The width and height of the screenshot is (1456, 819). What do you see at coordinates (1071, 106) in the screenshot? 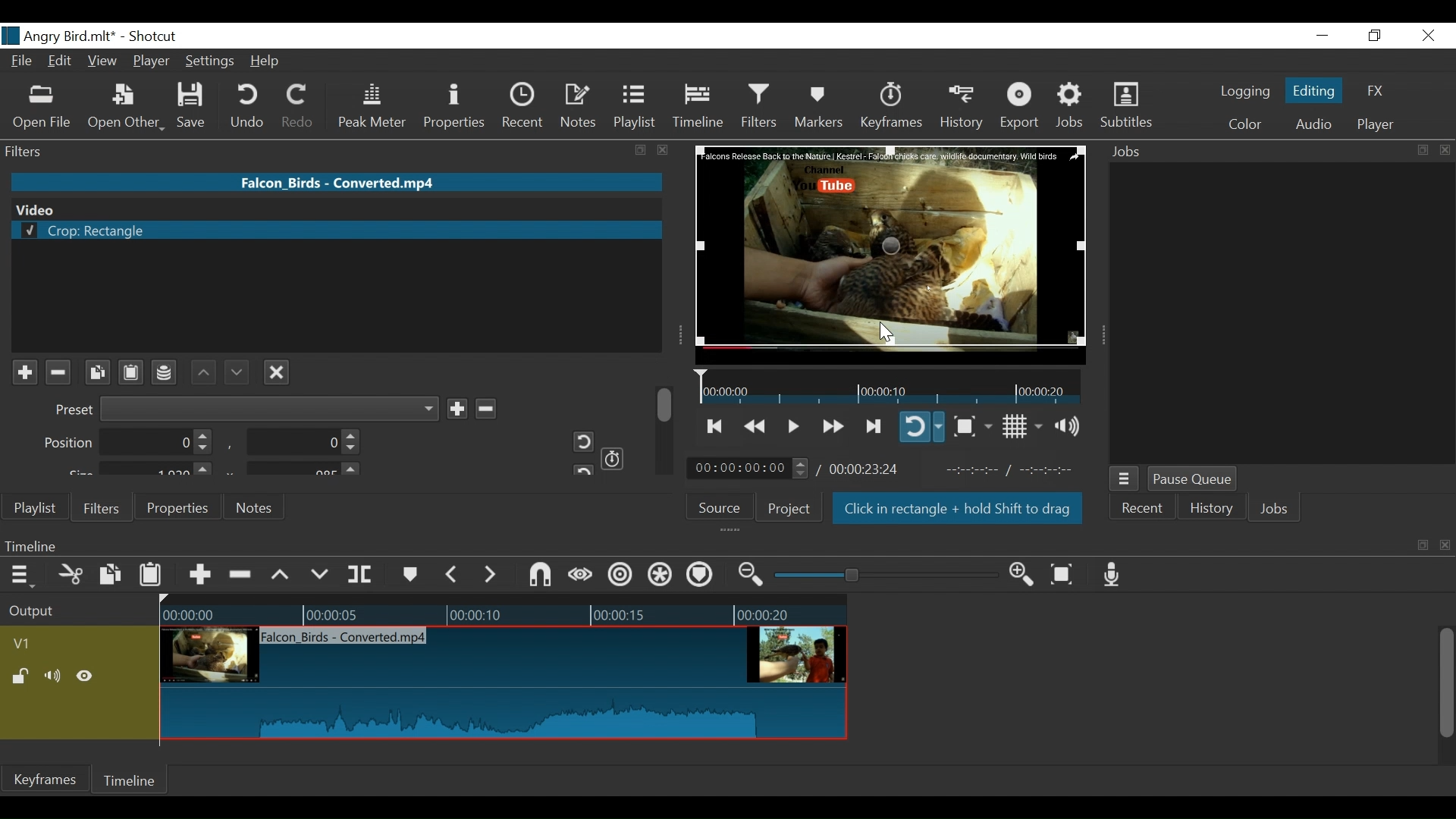
I see `Jobs` at bounding box center [1071, 106].